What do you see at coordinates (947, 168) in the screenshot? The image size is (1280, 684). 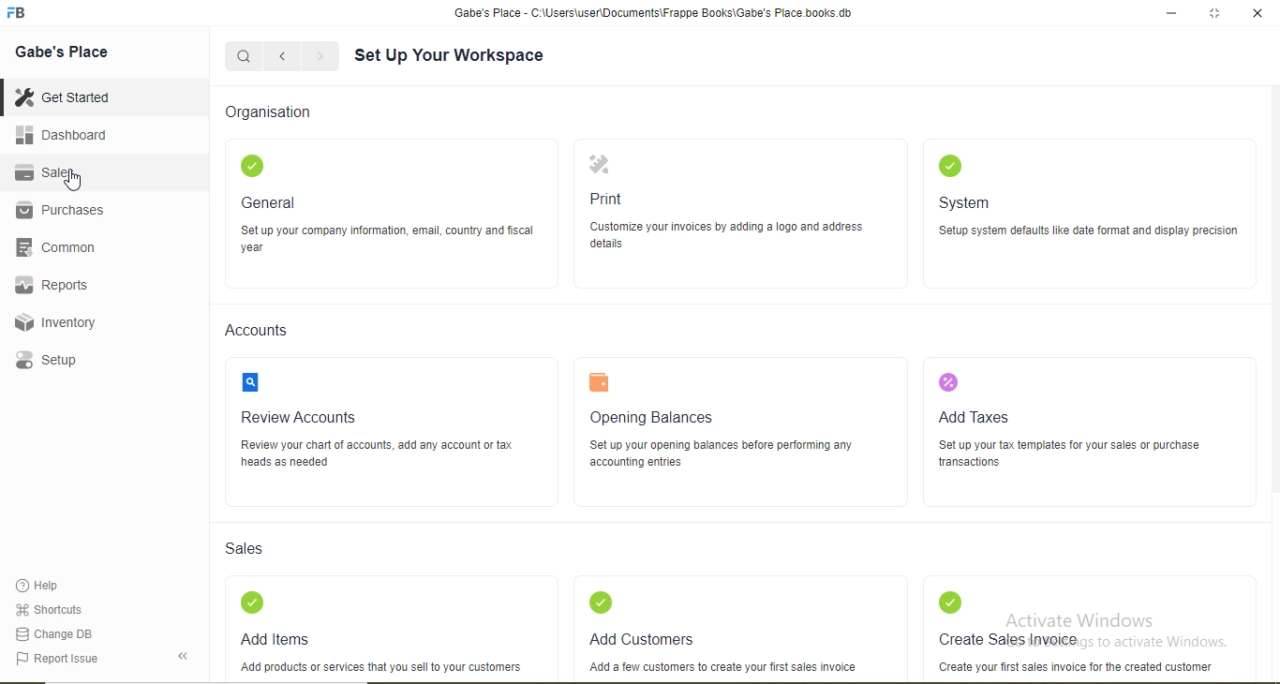 I see `tick` at bounding box center [947, 168].